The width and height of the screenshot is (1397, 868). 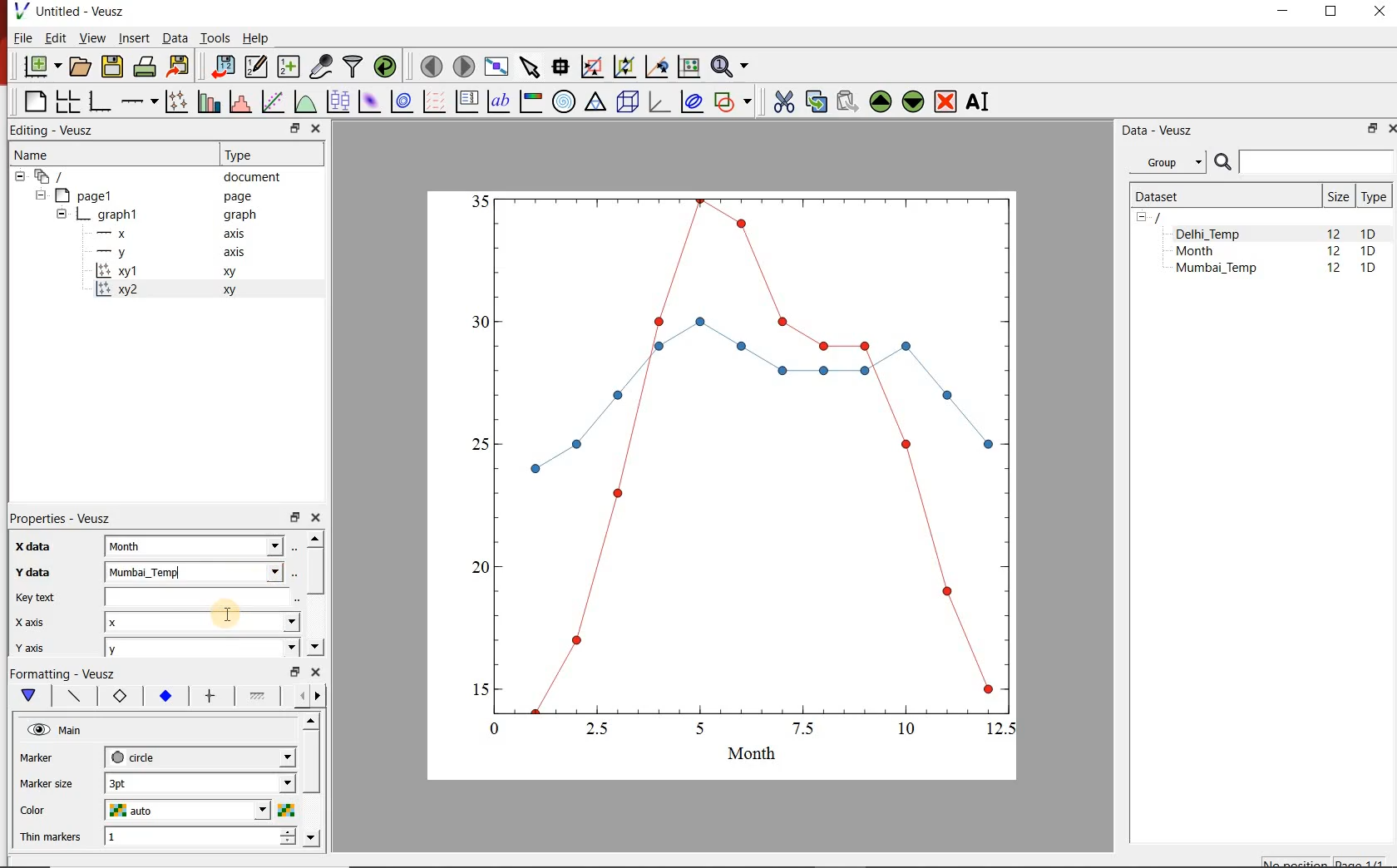 I want to click on major ticks, so click(x=209, y=696).